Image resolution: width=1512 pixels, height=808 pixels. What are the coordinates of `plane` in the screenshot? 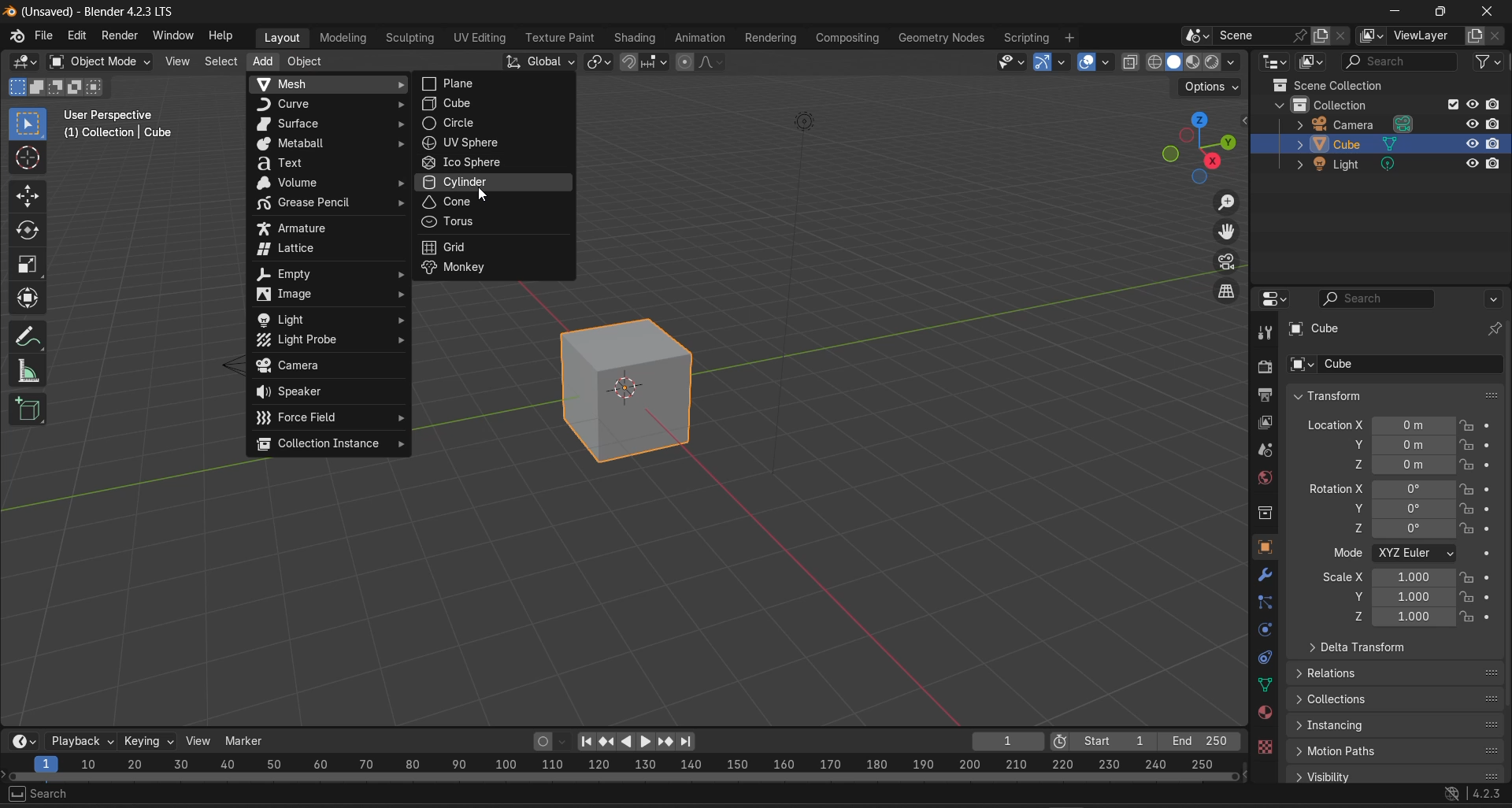 It's located at (494, 83).